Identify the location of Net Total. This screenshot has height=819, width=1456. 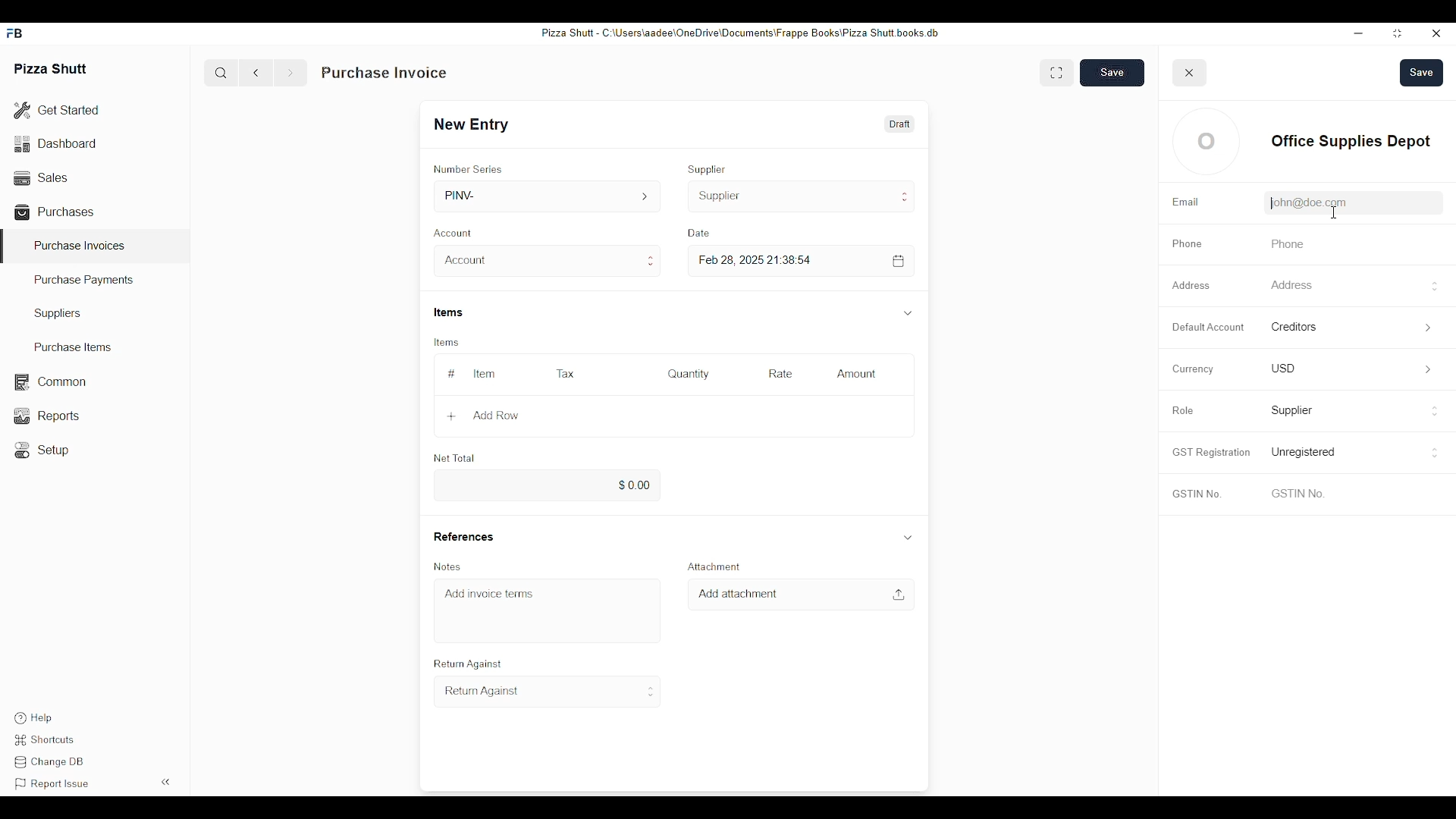
(454, 458).